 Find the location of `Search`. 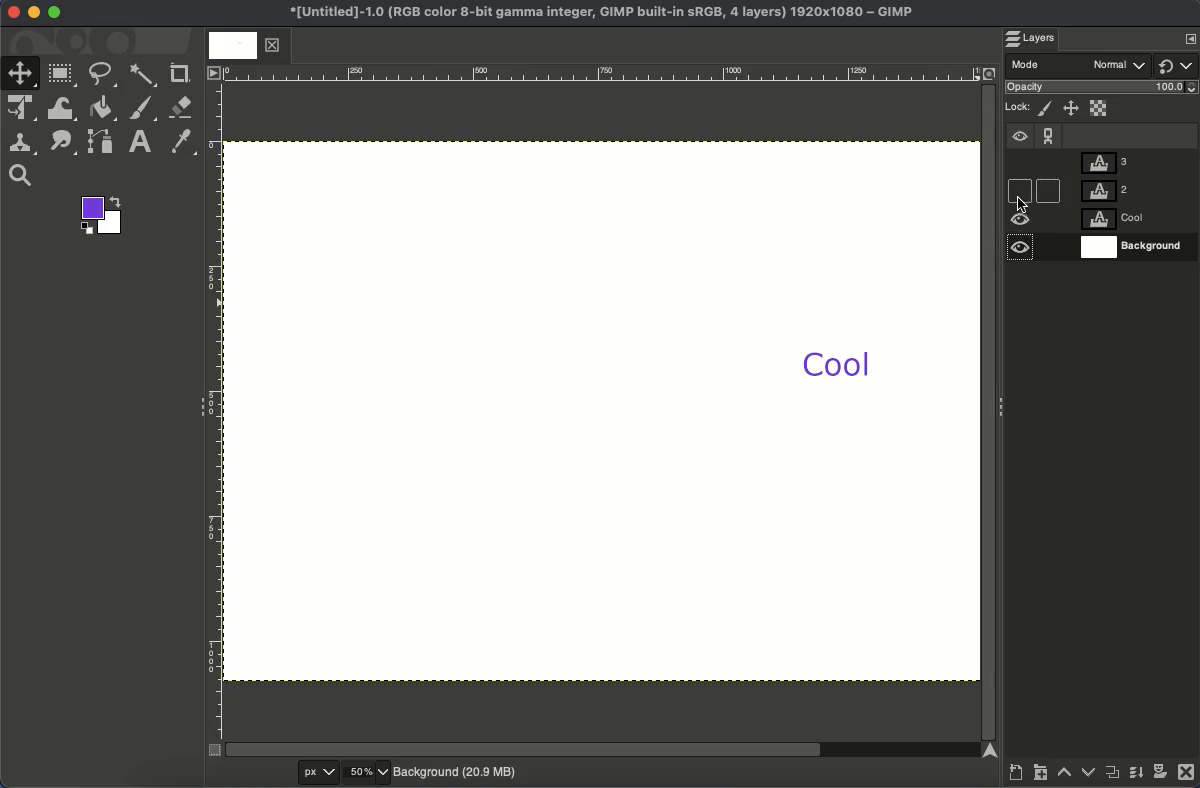

Search is located at coordinates (20, 176).